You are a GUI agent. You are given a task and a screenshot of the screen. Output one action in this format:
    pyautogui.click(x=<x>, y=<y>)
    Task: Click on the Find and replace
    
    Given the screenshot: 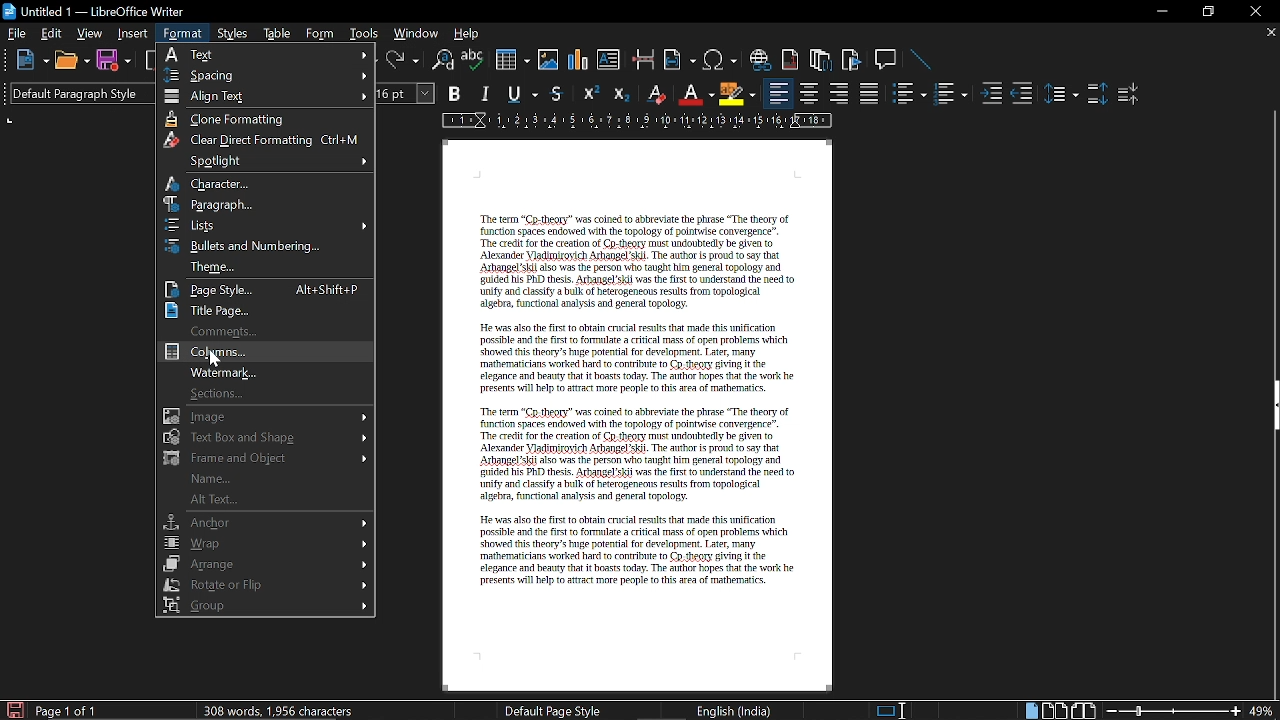 What is the action you would take?
    pyautogui.click(x=443, y=62)
    